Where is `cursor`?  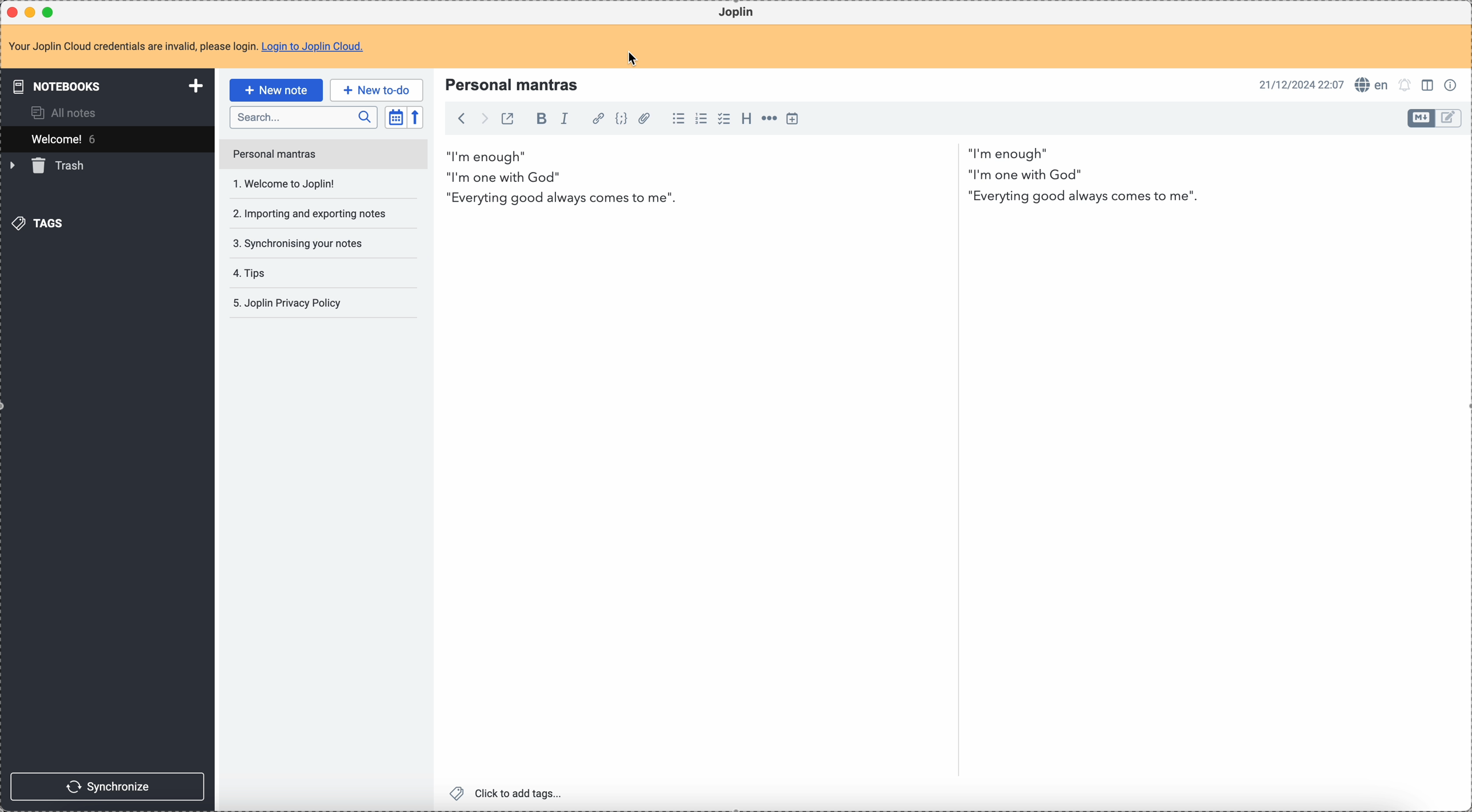
cursor is located at coordinates (631, 59).